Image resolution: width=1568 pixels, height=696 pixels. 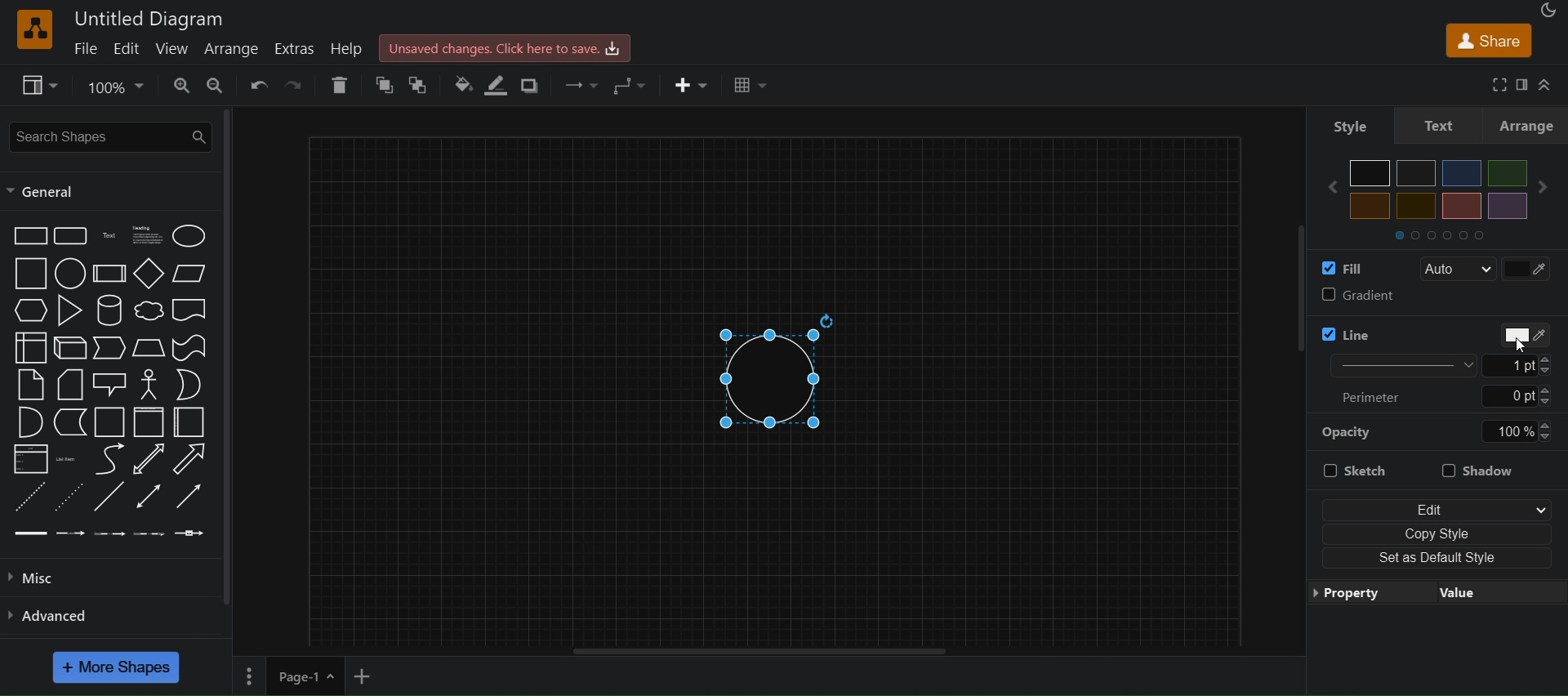 I want to click on zoom out, so click(x=219, y=86).